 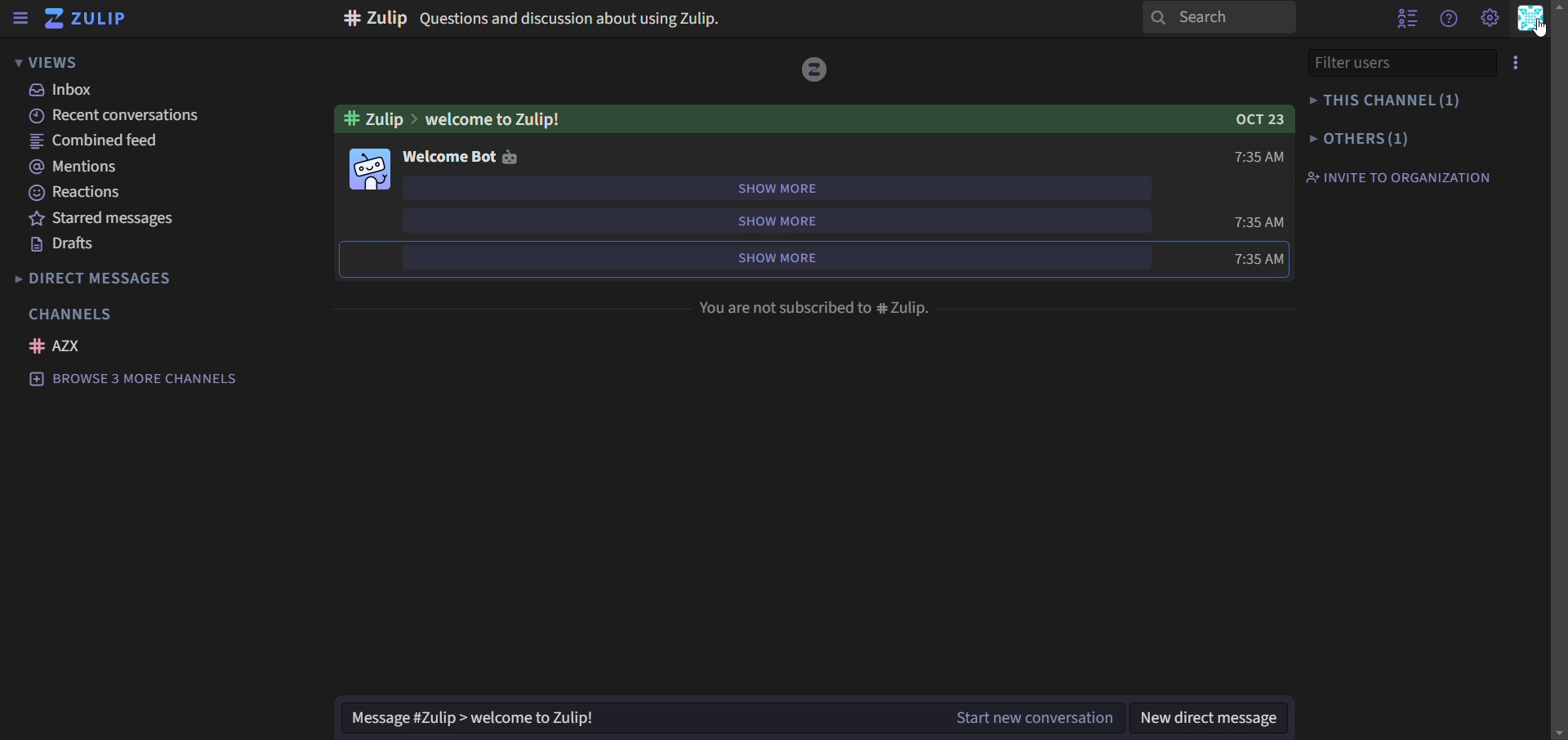 I want to click on channels, so click(x=74, y=314).